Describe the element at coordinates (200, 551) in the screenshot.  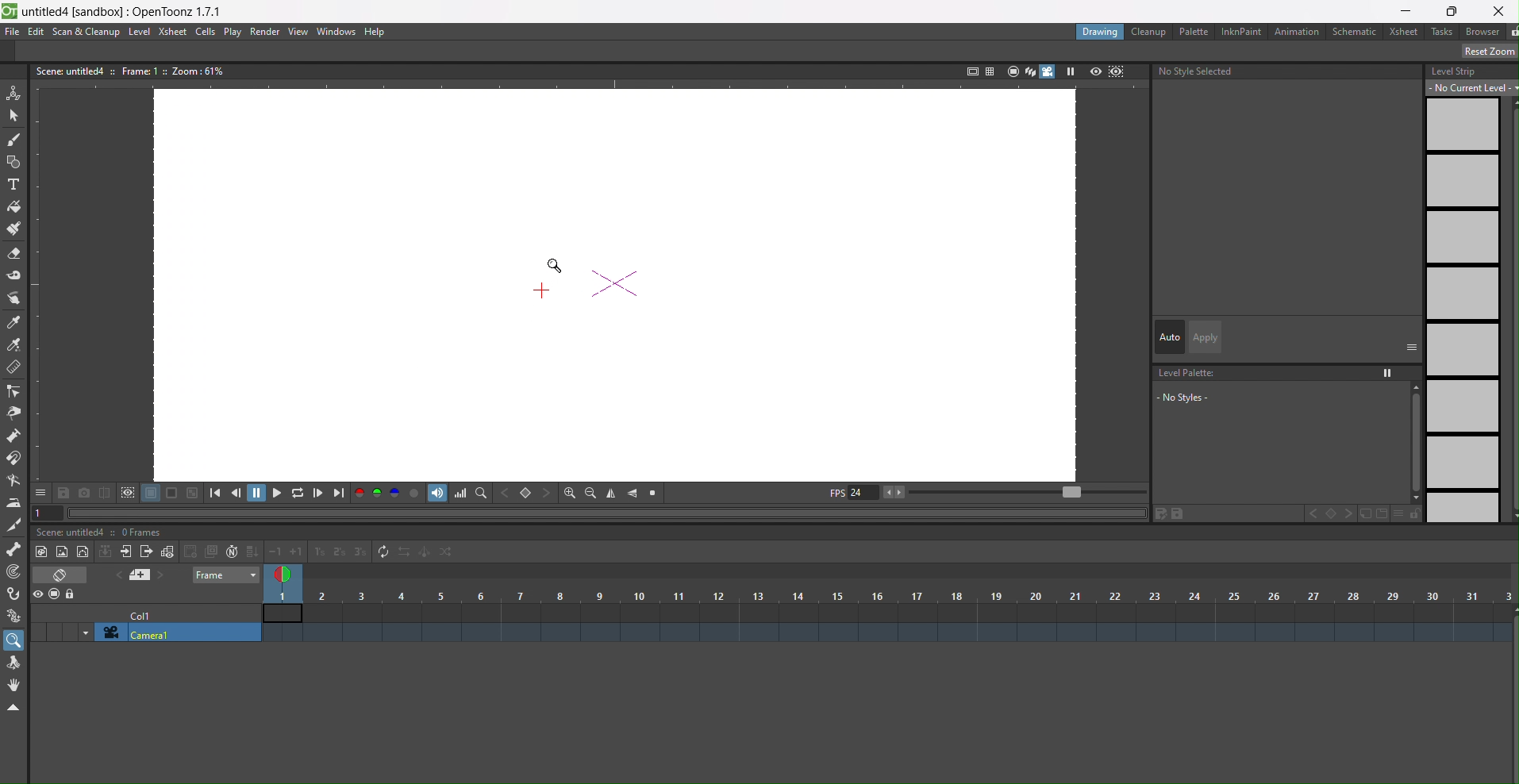
I see `icon` at that location.